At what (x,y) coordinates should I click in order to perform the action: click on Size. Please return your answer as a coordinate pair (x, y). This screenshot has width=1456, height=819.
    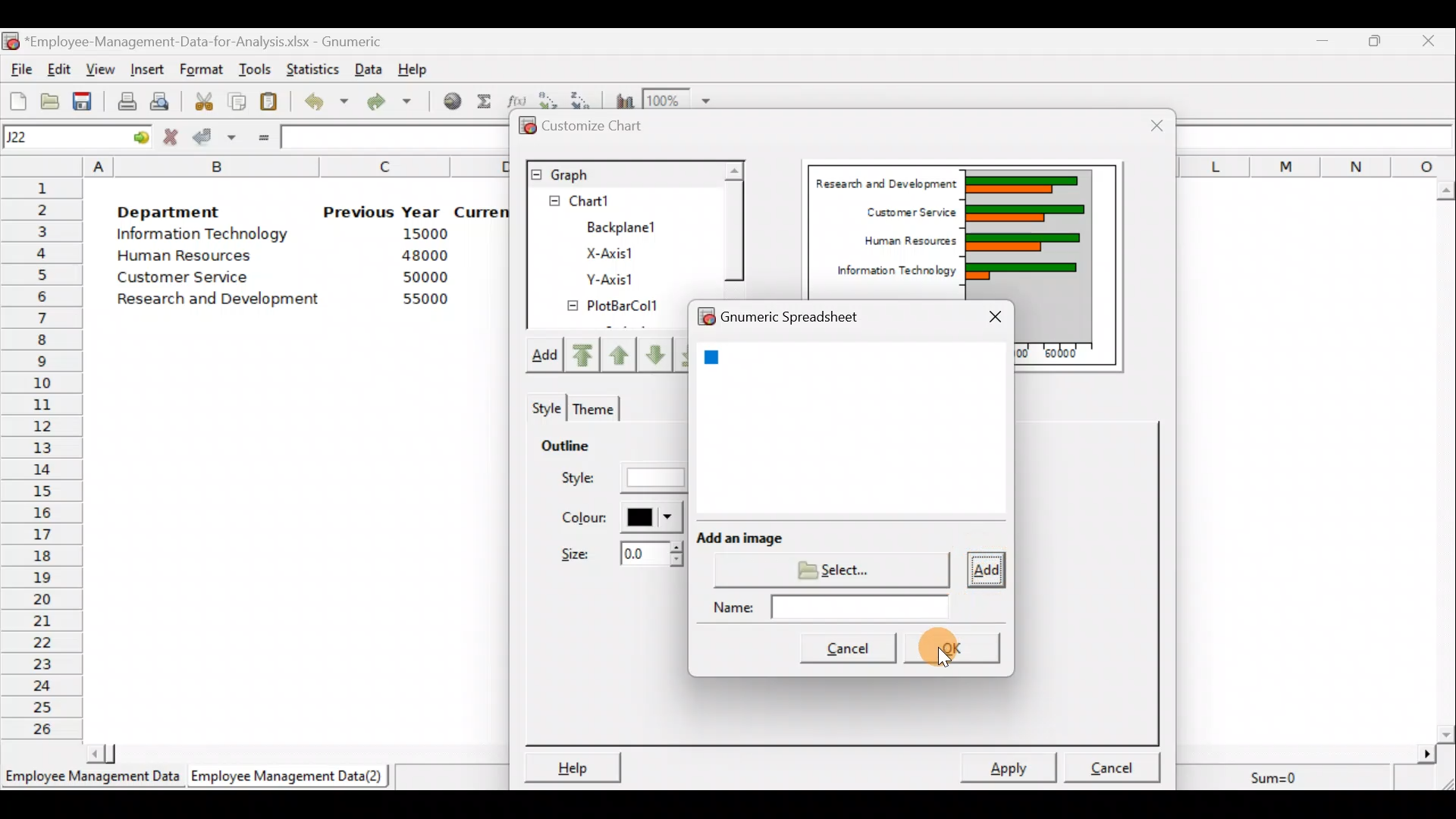
    Looking at the image, I should click on (613, 558).